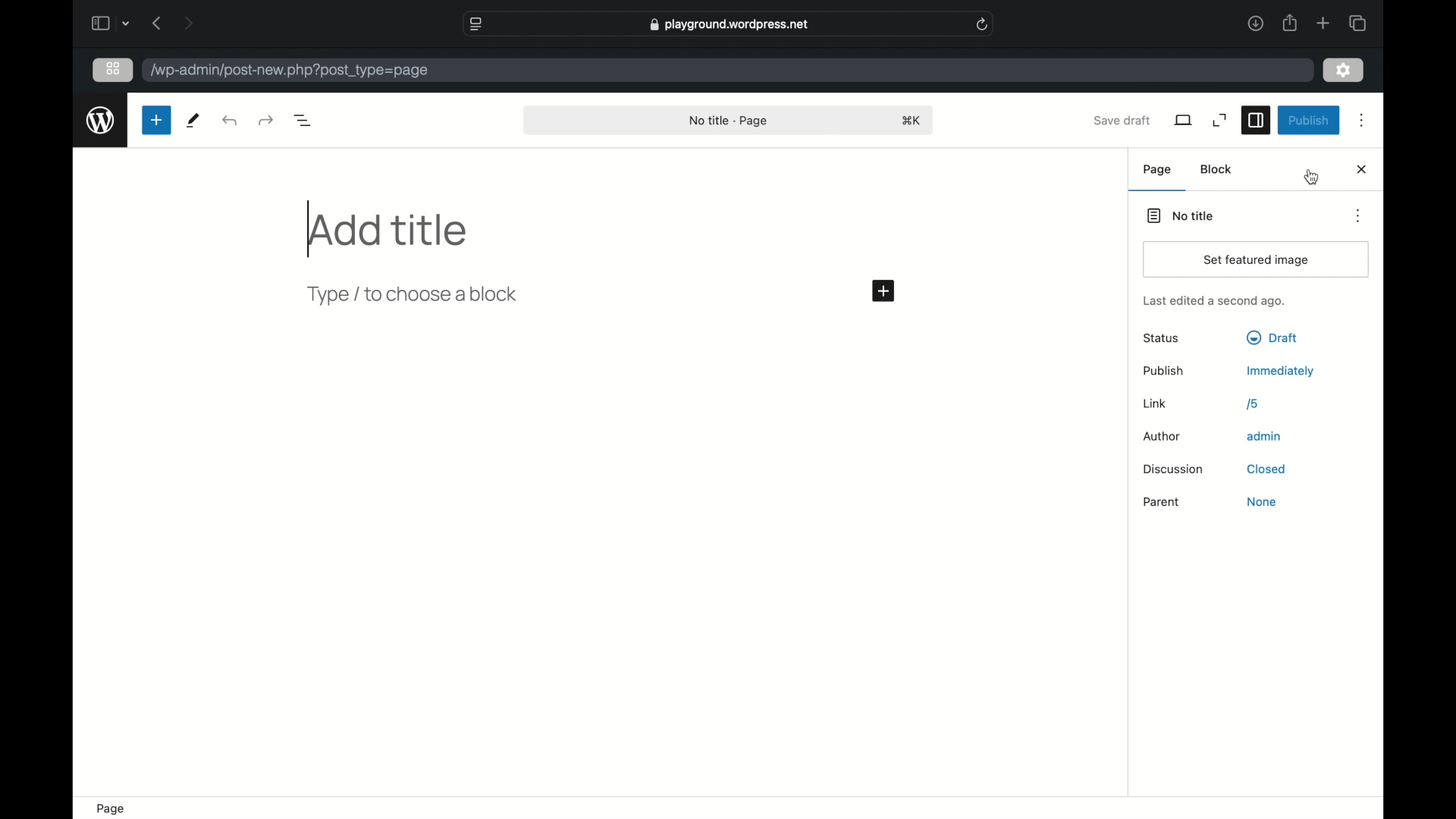 The height and width of the screenshot is (819, 1456). What do you see at coordinates (1163, 438) in the screenshot?
I see `author` at bounding box center [1163, 438].